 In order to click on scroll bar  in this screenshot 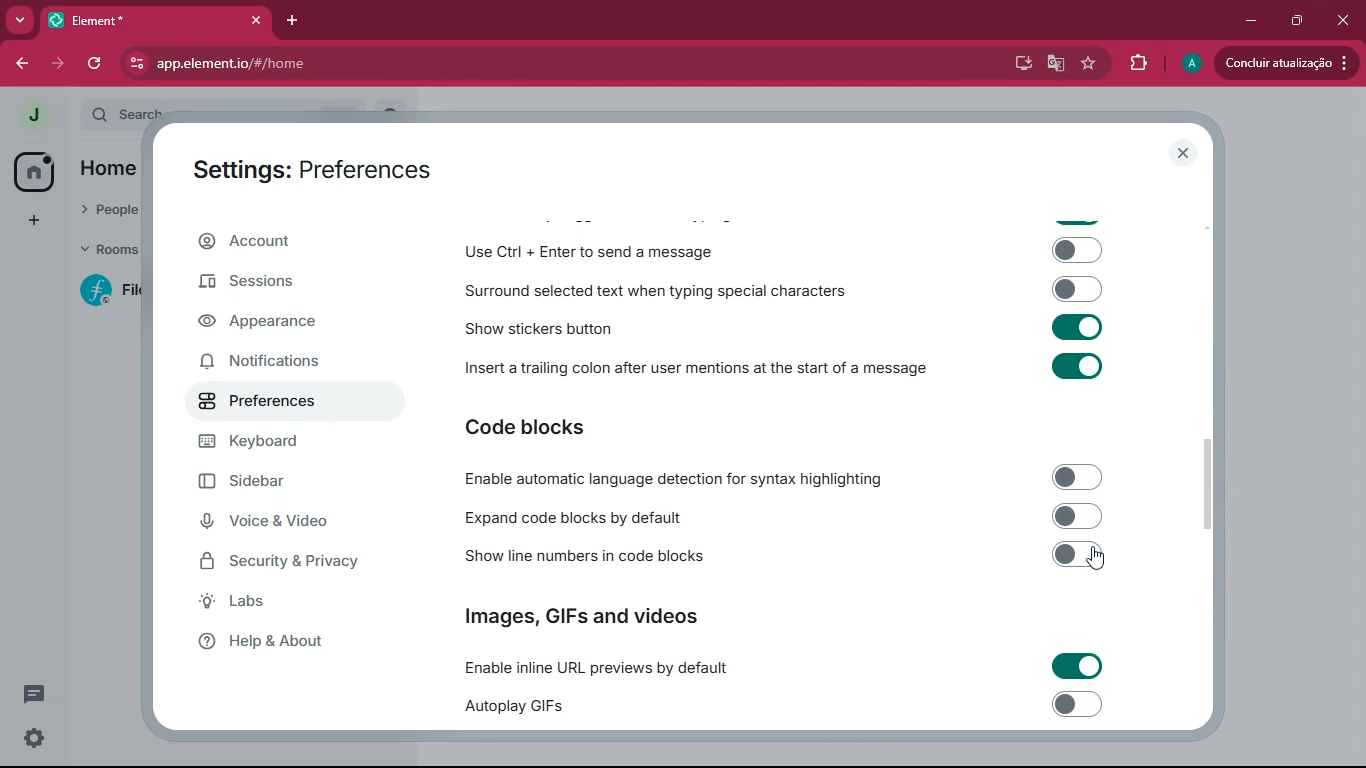, I will do `click(1213, 483)`.